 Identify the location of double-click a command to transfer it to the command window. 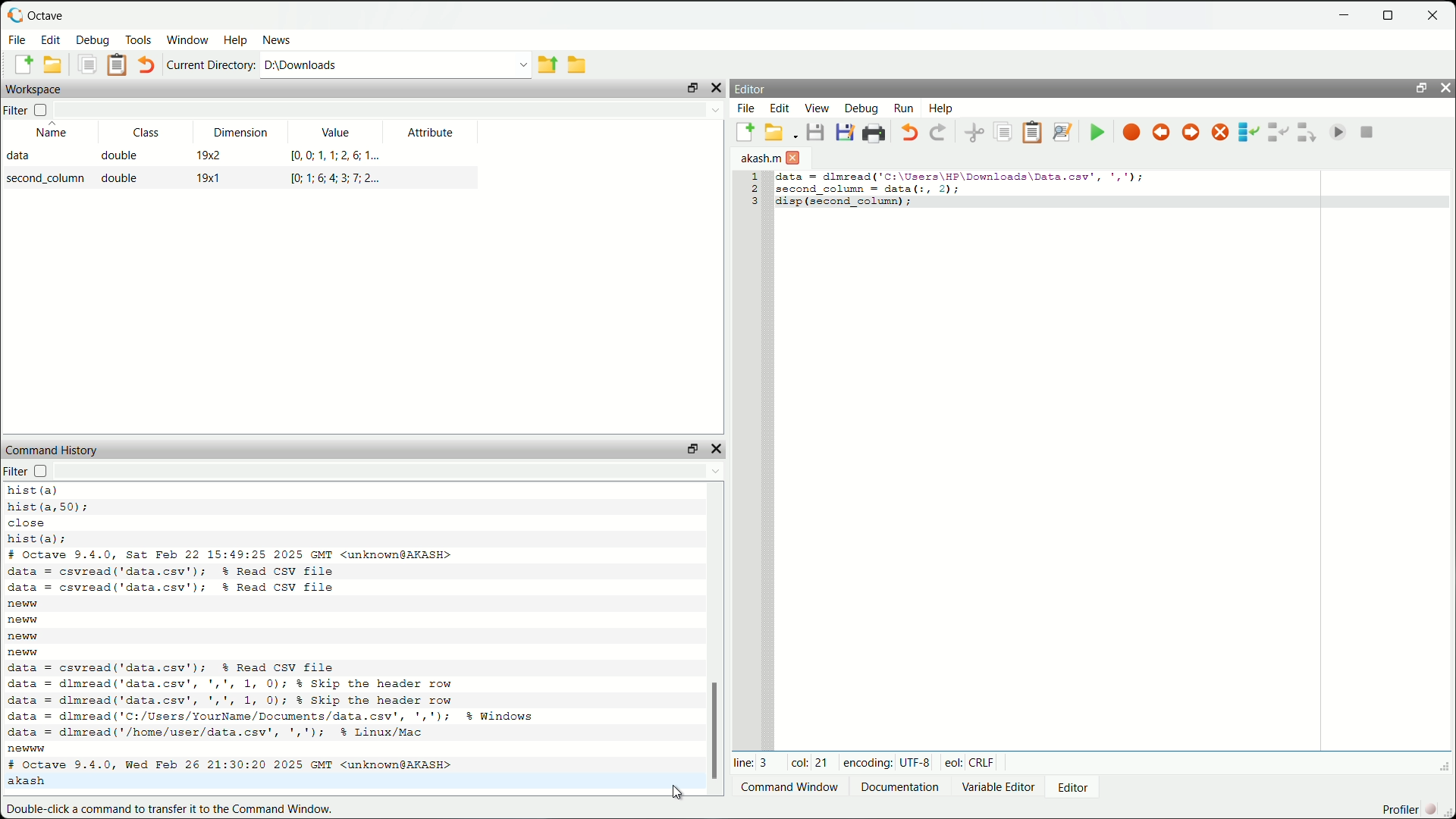
(205, 810).